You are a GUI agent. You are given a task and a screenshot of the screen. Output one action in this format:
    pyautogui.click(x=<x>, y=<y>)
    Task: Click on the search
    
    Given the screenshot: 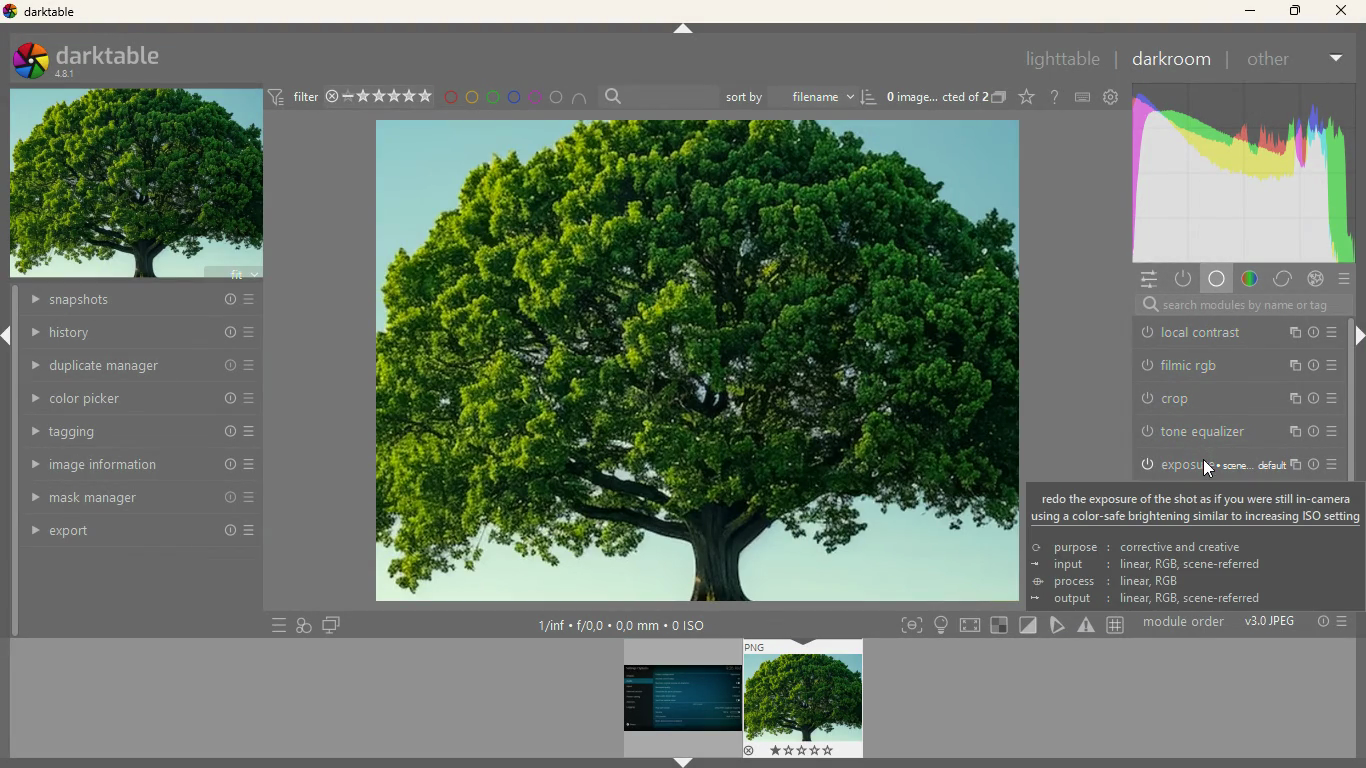 What is the action you would take?
    pyautogui.click(x=658, y=94)
    